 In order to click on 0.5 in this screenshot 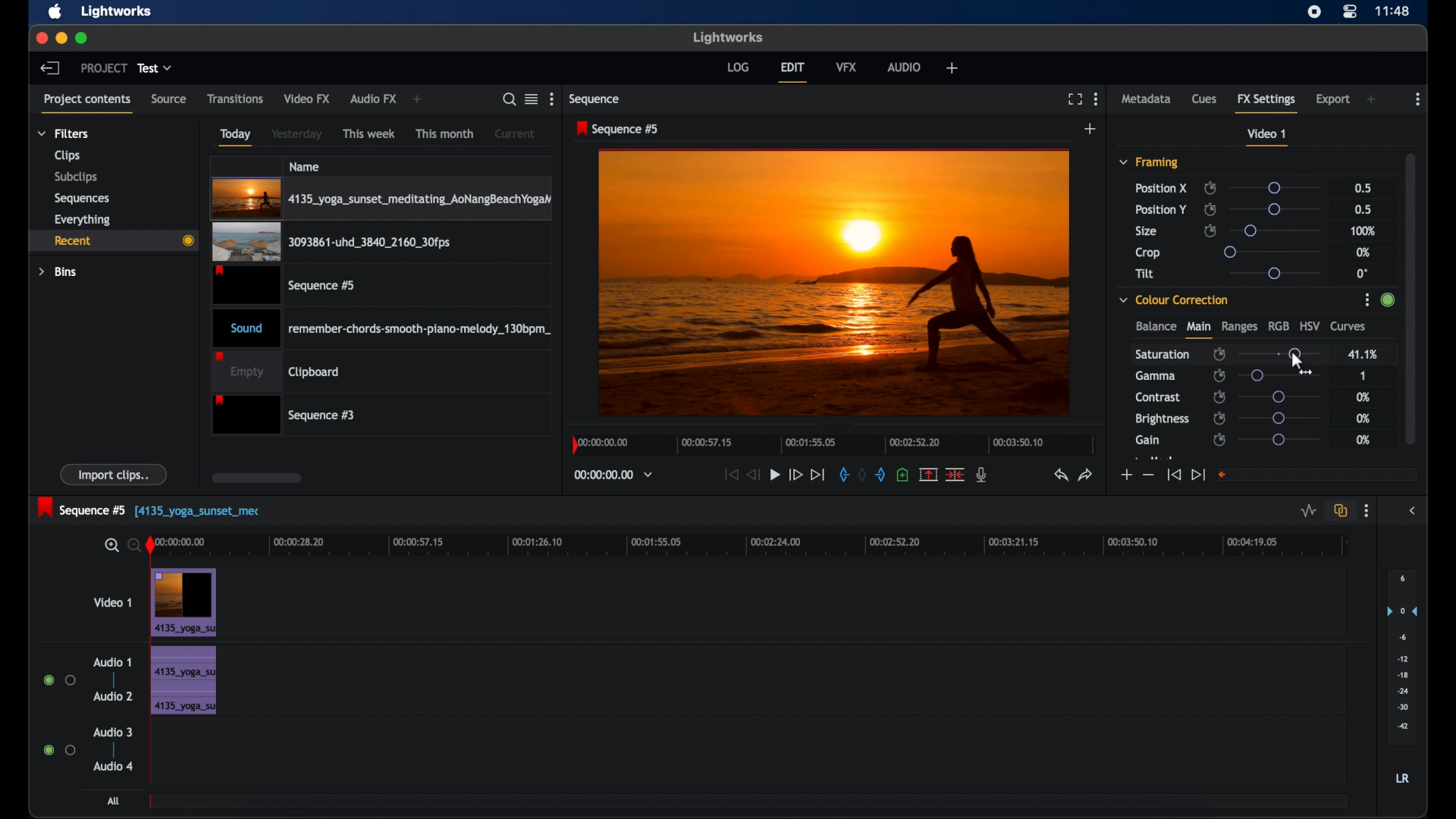, I will do `click(1362, 209)`.